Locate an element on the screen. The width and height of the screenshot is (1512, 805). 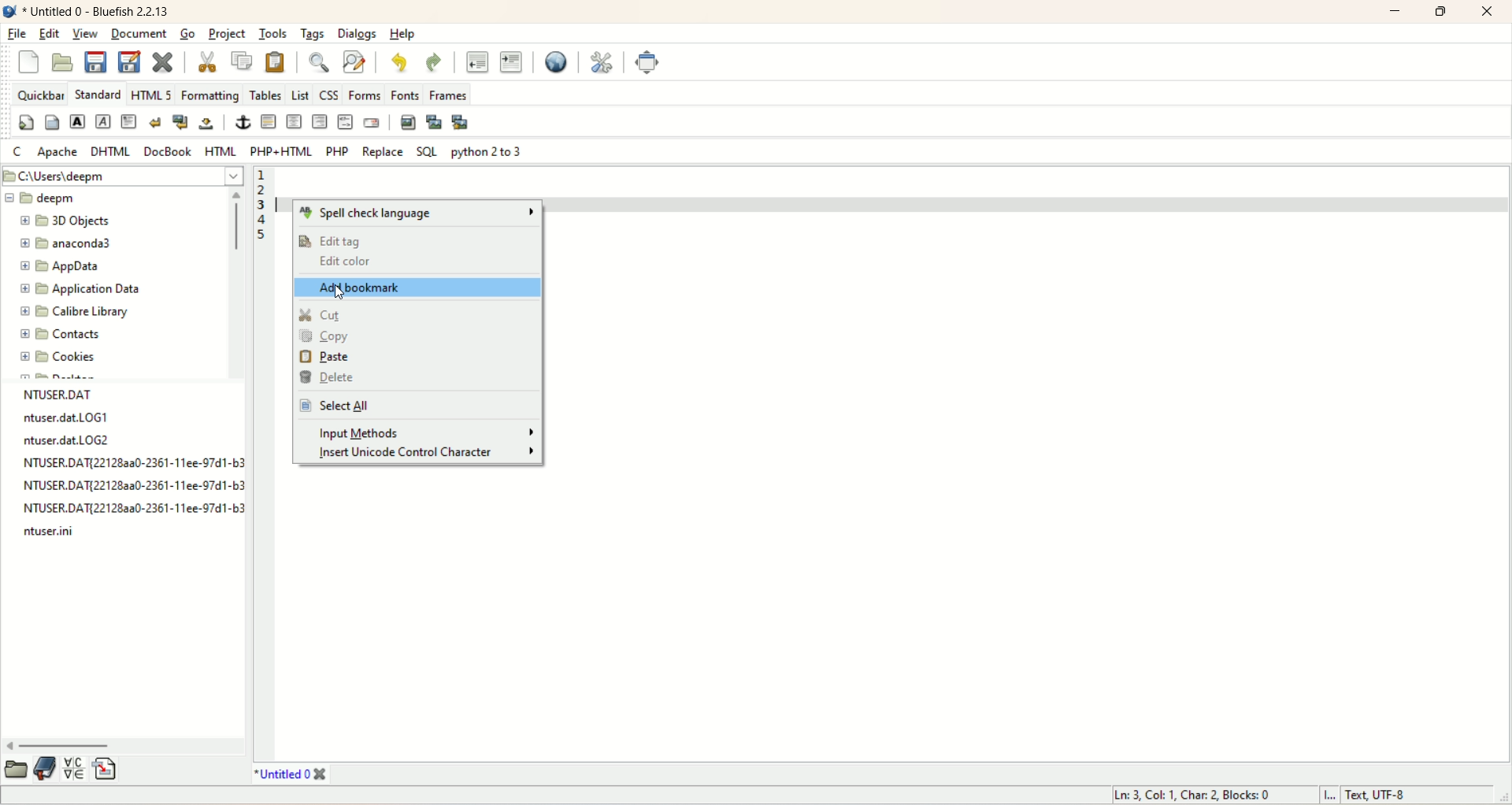
apache is located at coordinates (58, 152).